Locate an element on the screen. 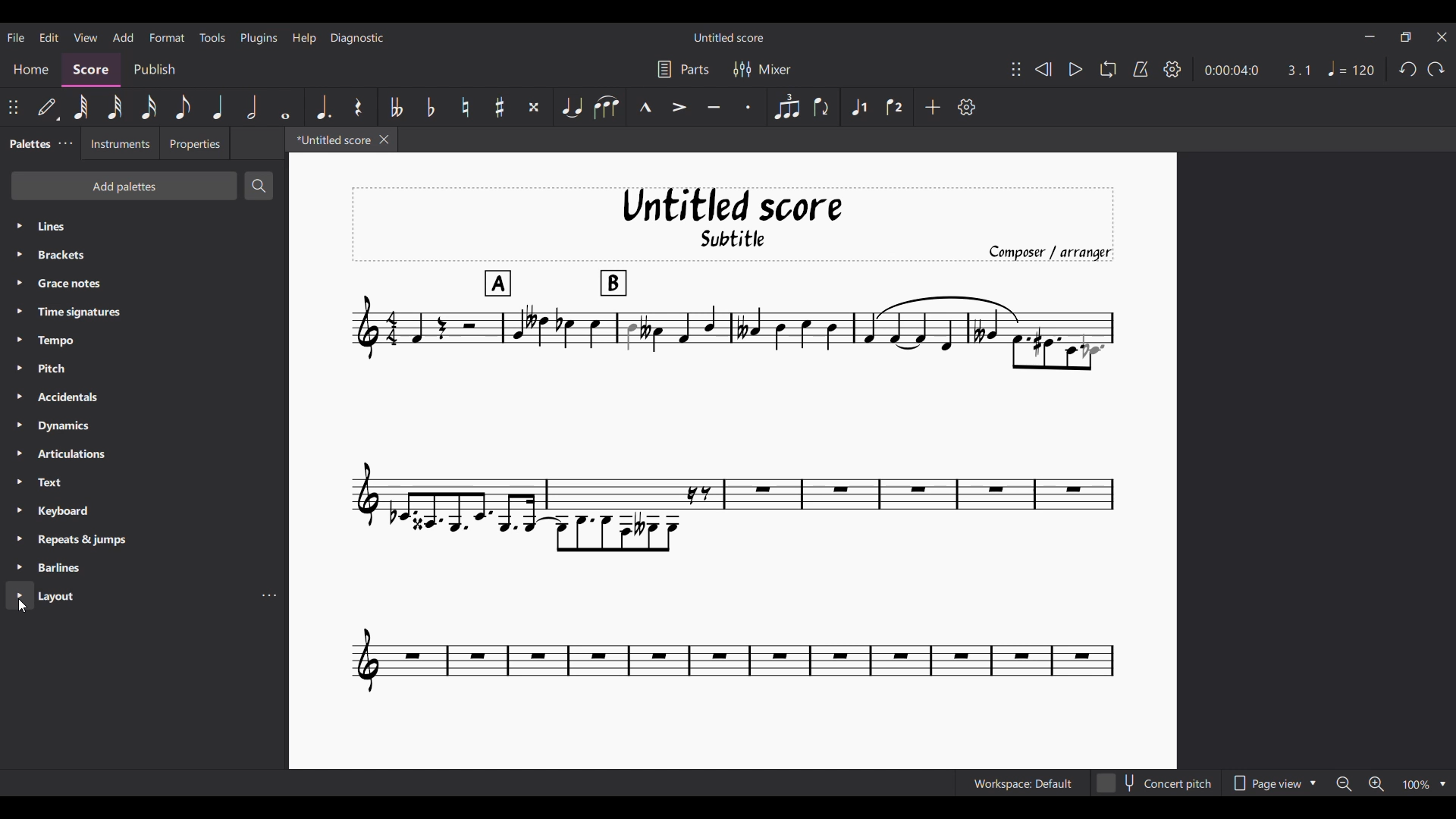 The width and height of the screenshot is (1456, 819). Cursor is located at coordinates (23, 606).